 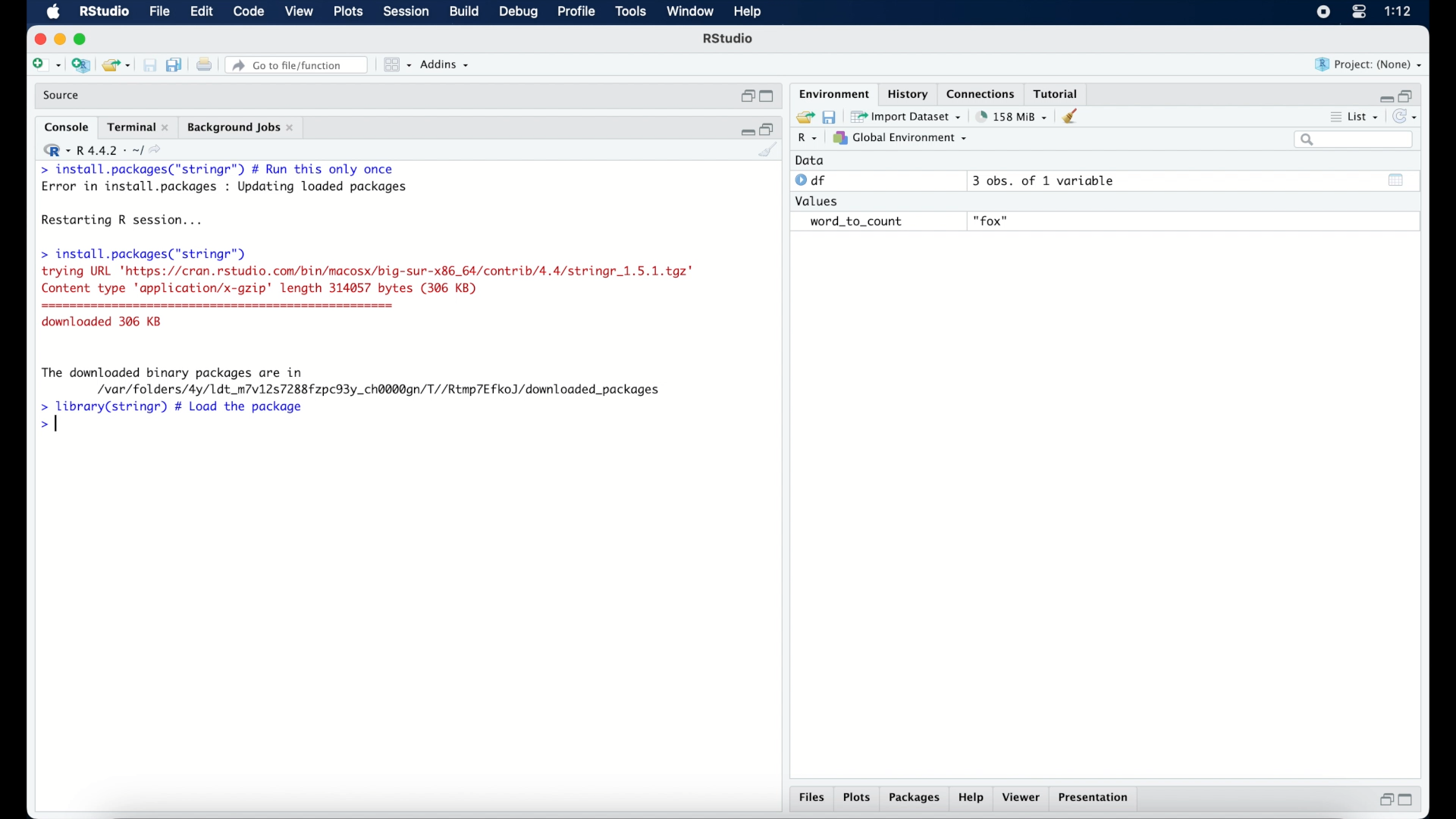 I want to click on source, so click(x=63, y=96).